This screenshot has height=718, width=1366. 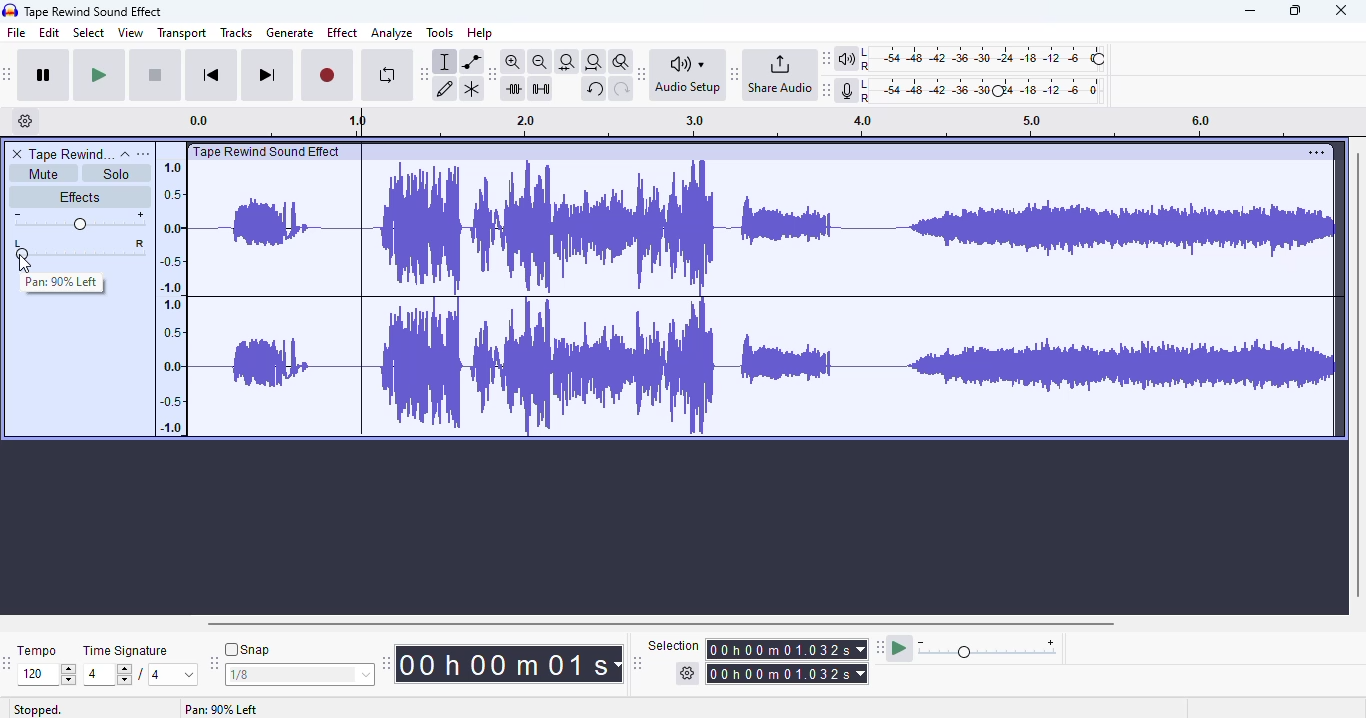 I want to click on horizontal scroll bar, so click(x=663, y=624).